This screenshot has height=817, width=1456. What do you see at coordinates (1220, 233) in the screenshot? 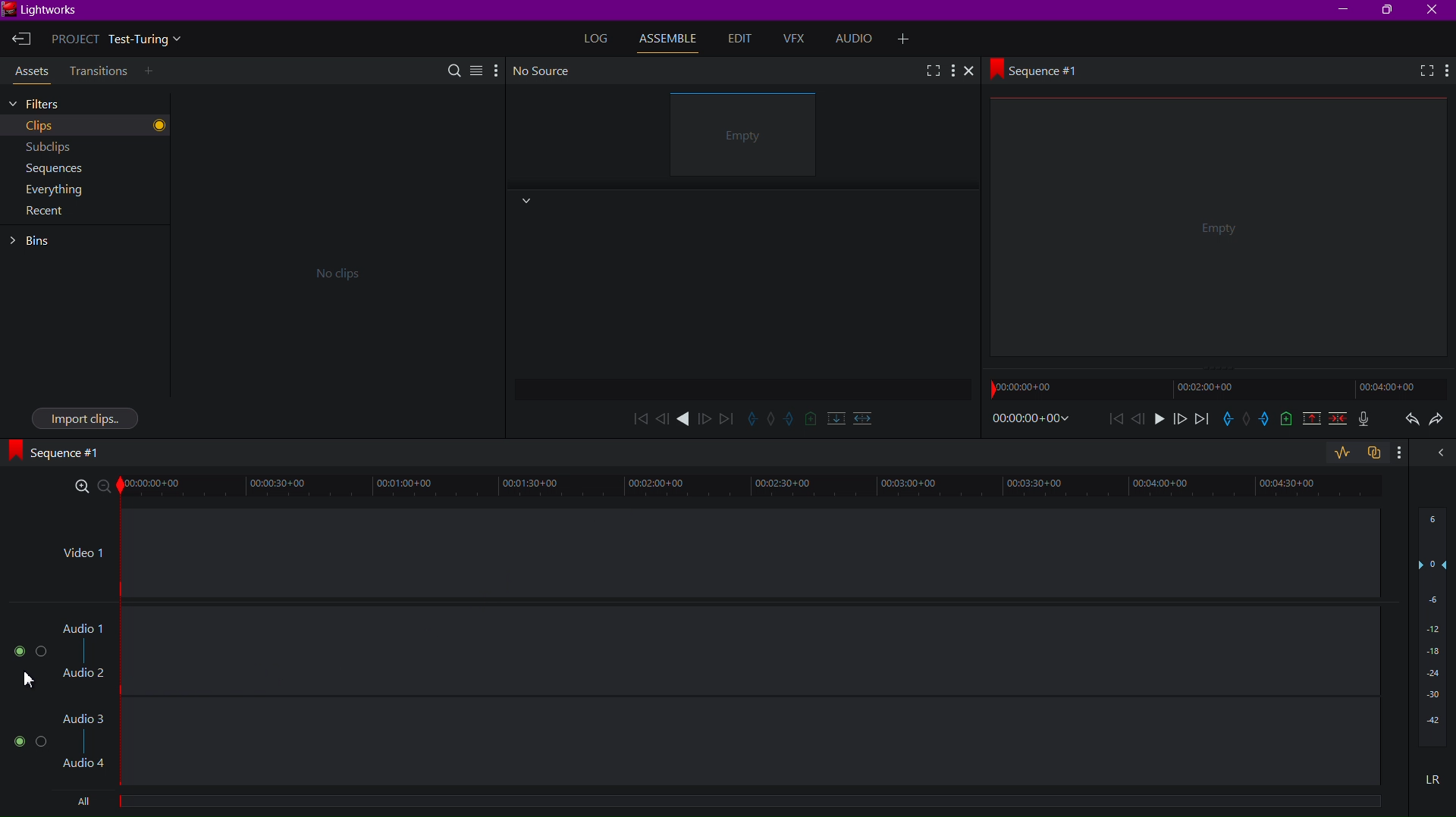
I see `Sequence View` at bounding box center [1220, 233].